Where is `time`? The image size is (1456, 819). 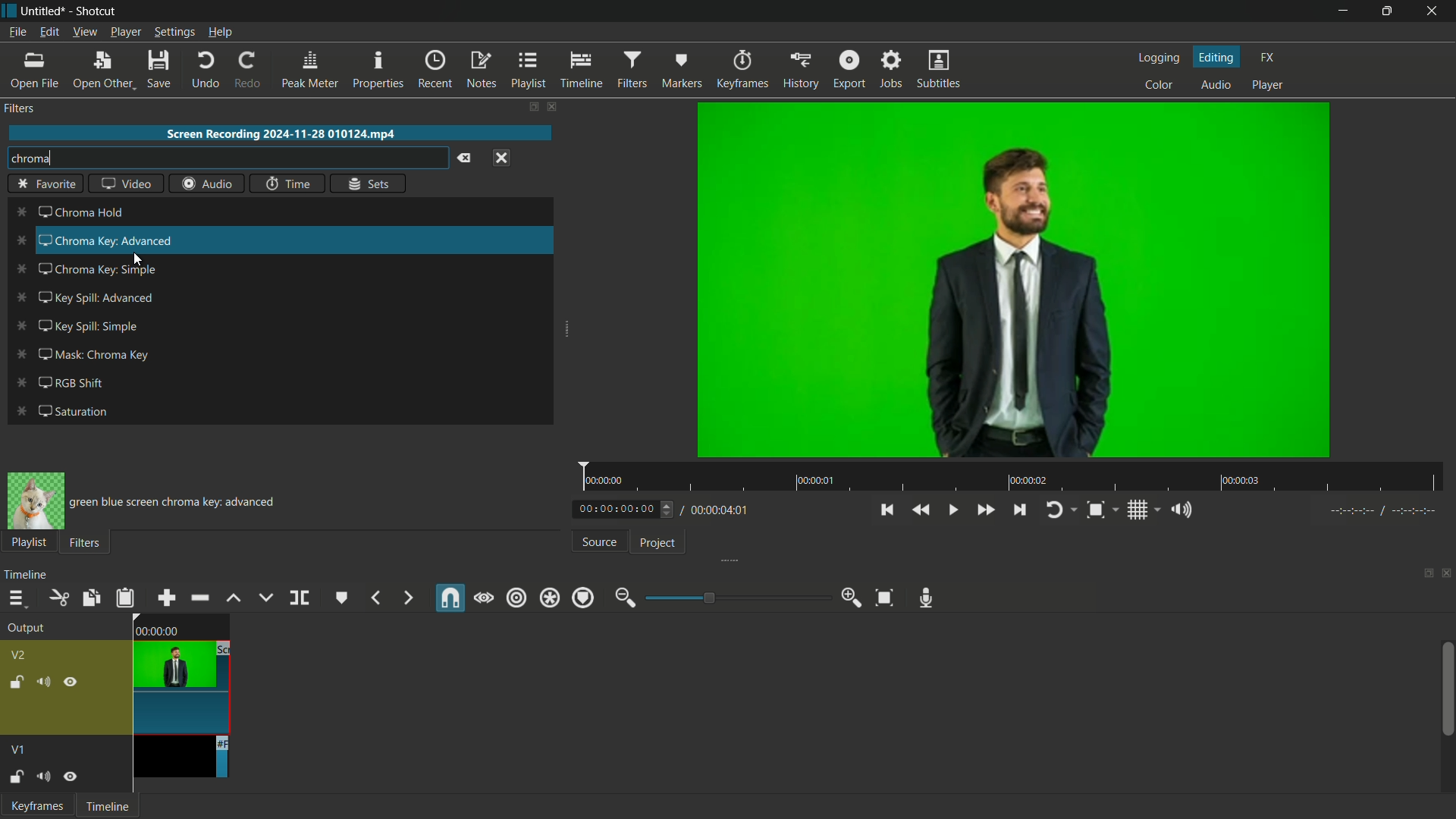 time is located at coordinates (289, 183).